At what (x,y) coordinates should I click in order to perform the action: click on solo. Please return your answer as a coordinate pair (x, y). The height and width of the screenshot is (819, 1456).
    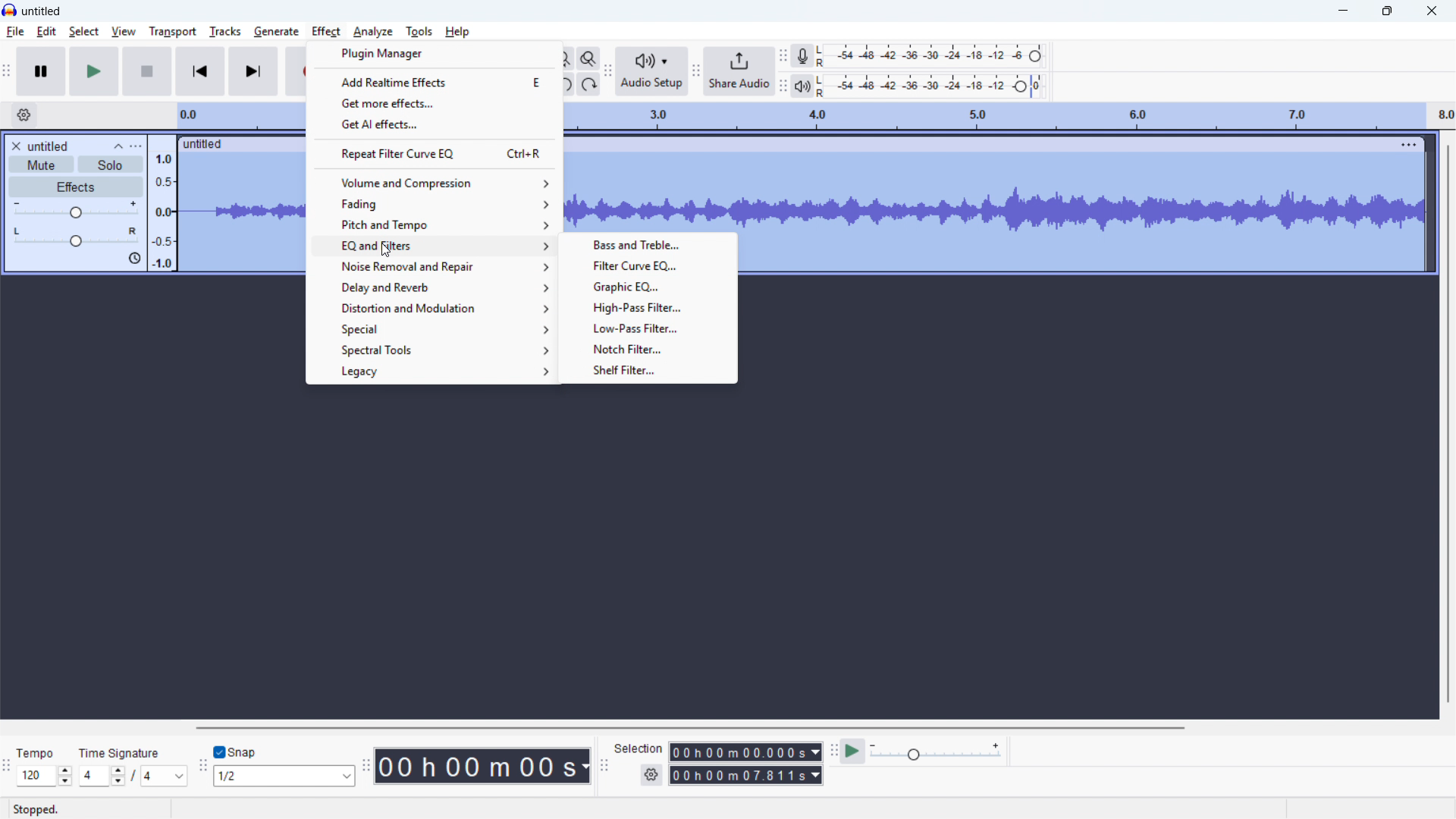
    Looking at the image, I should click on (111, 165).